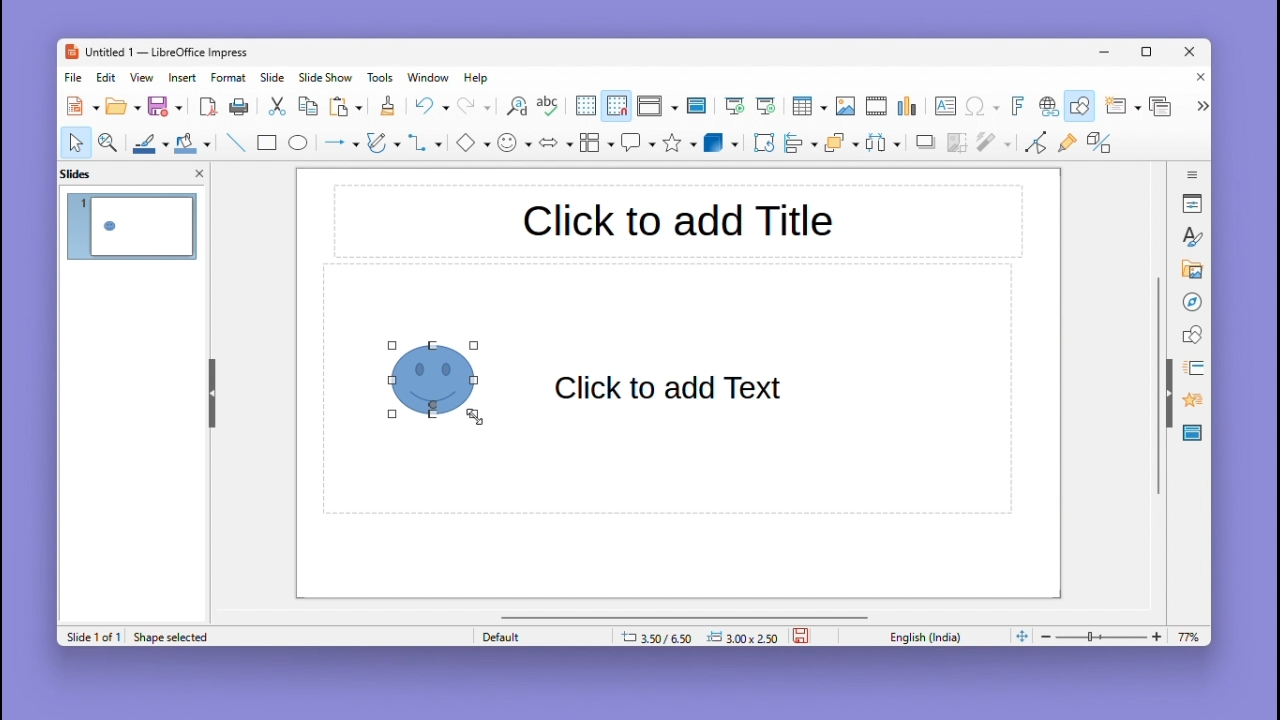 The image size is (1280, 720). What do you see at coordinates (677, 223) in the screenshot?
I see `Title` at bounding box center [677, 223].